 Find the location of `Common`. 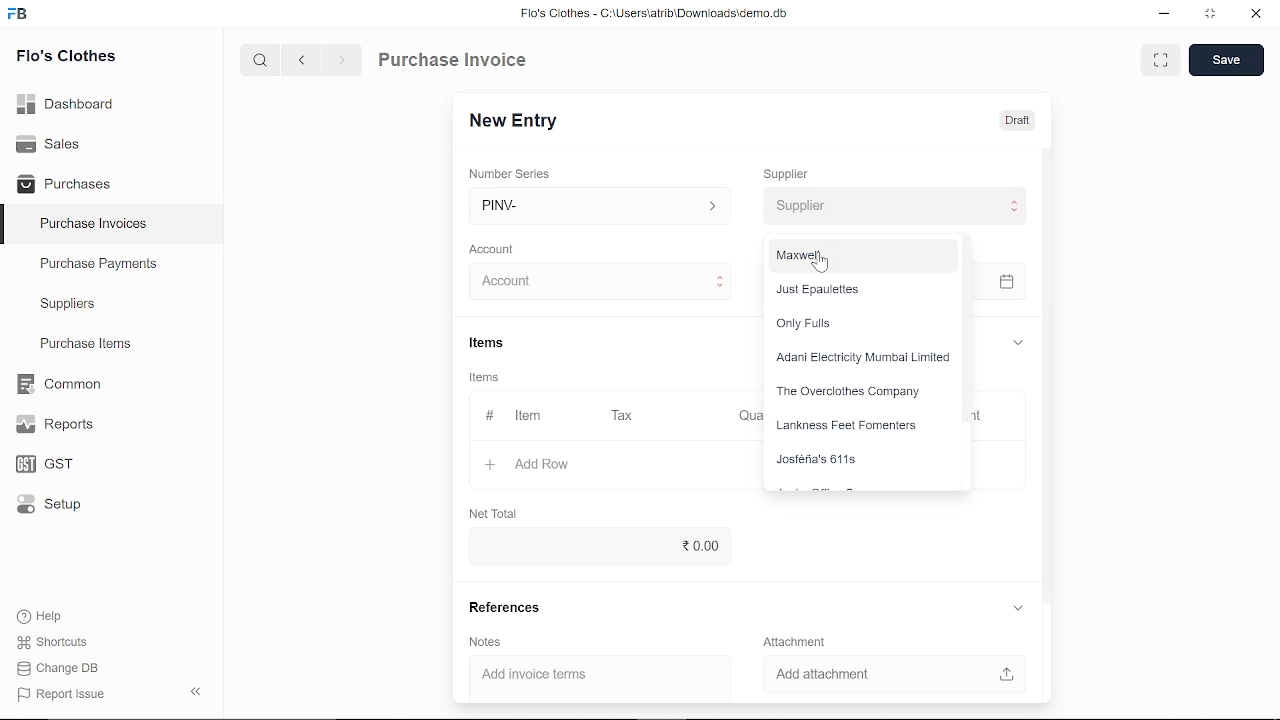

Common is located at coordinates (61, 384).